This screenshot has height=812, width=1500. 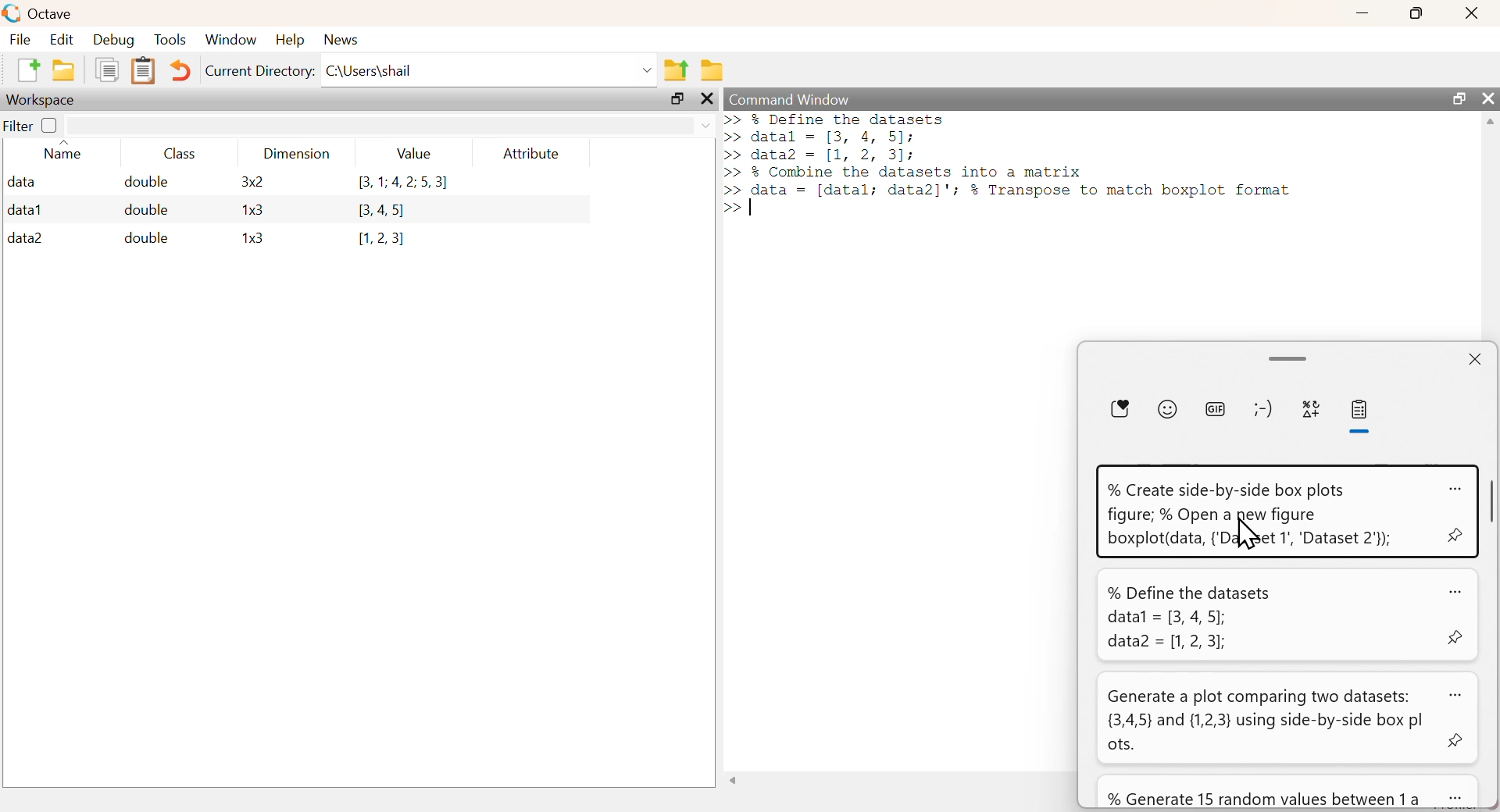 I want to click on clipboard, so click(x=1362, y=411).